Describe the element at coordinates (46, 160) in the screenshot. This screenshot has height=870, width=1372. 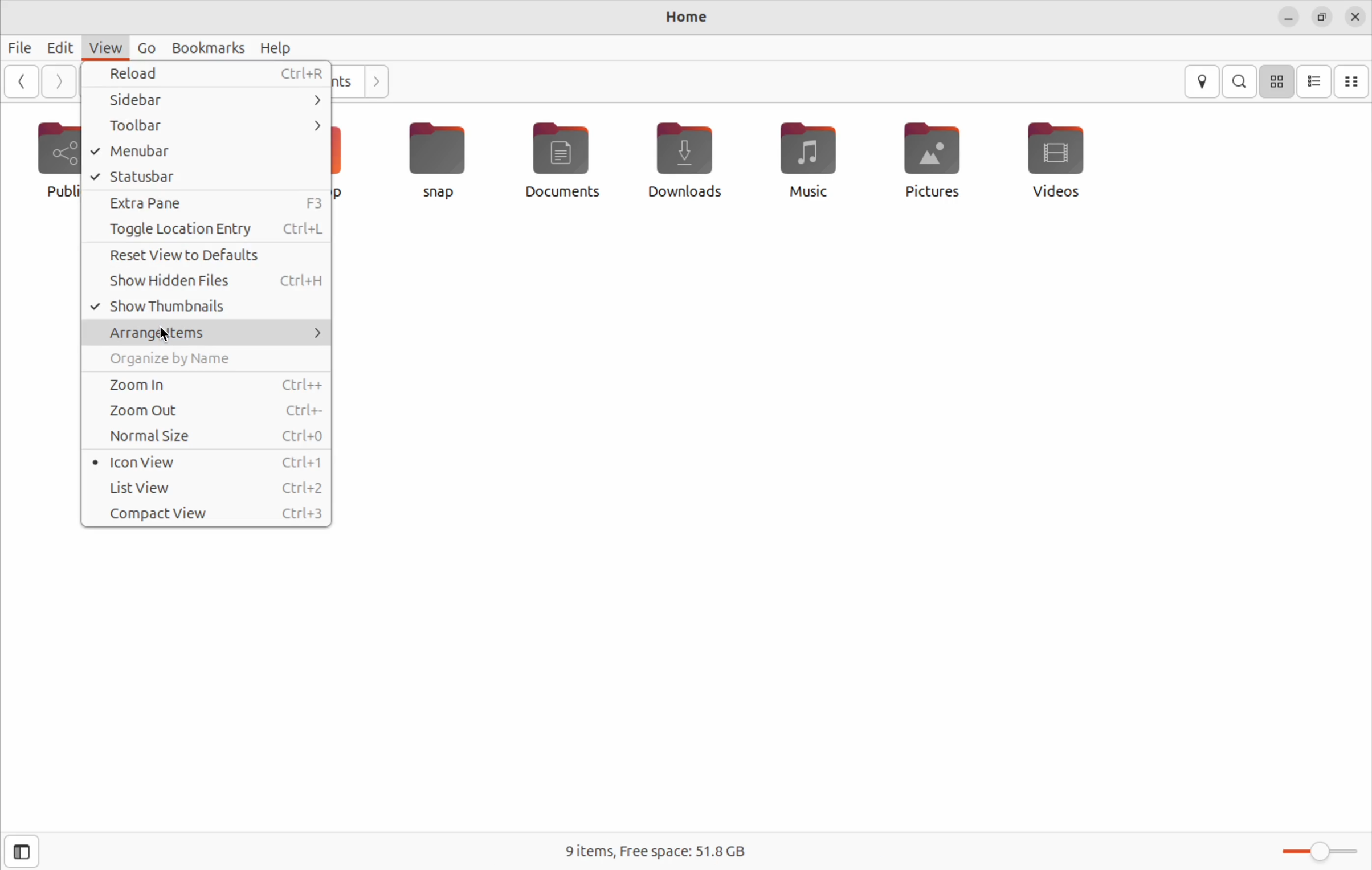
I see `public ` at that location.